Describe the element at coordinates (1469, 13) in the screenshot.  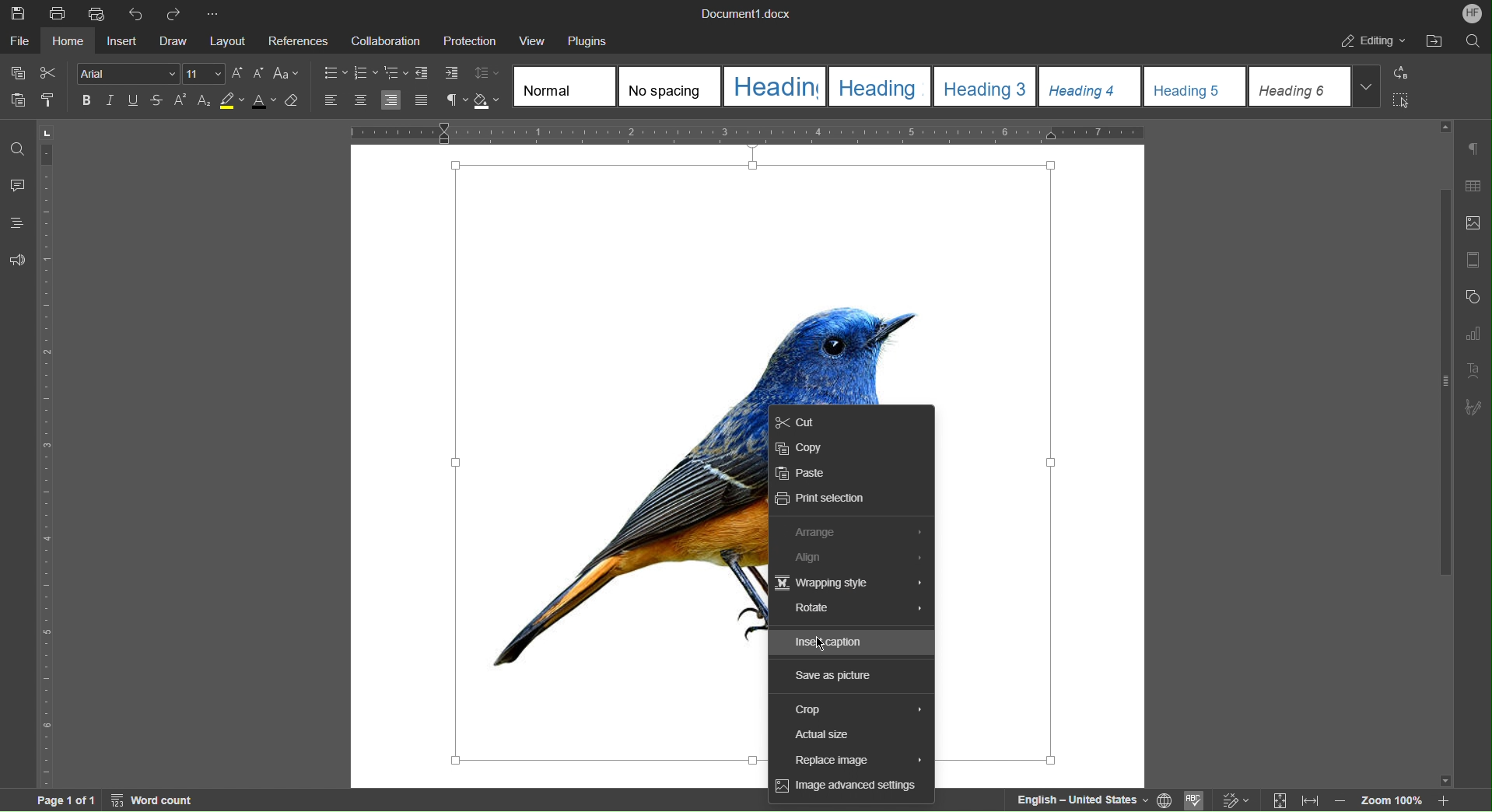
I see `Account` at that location.